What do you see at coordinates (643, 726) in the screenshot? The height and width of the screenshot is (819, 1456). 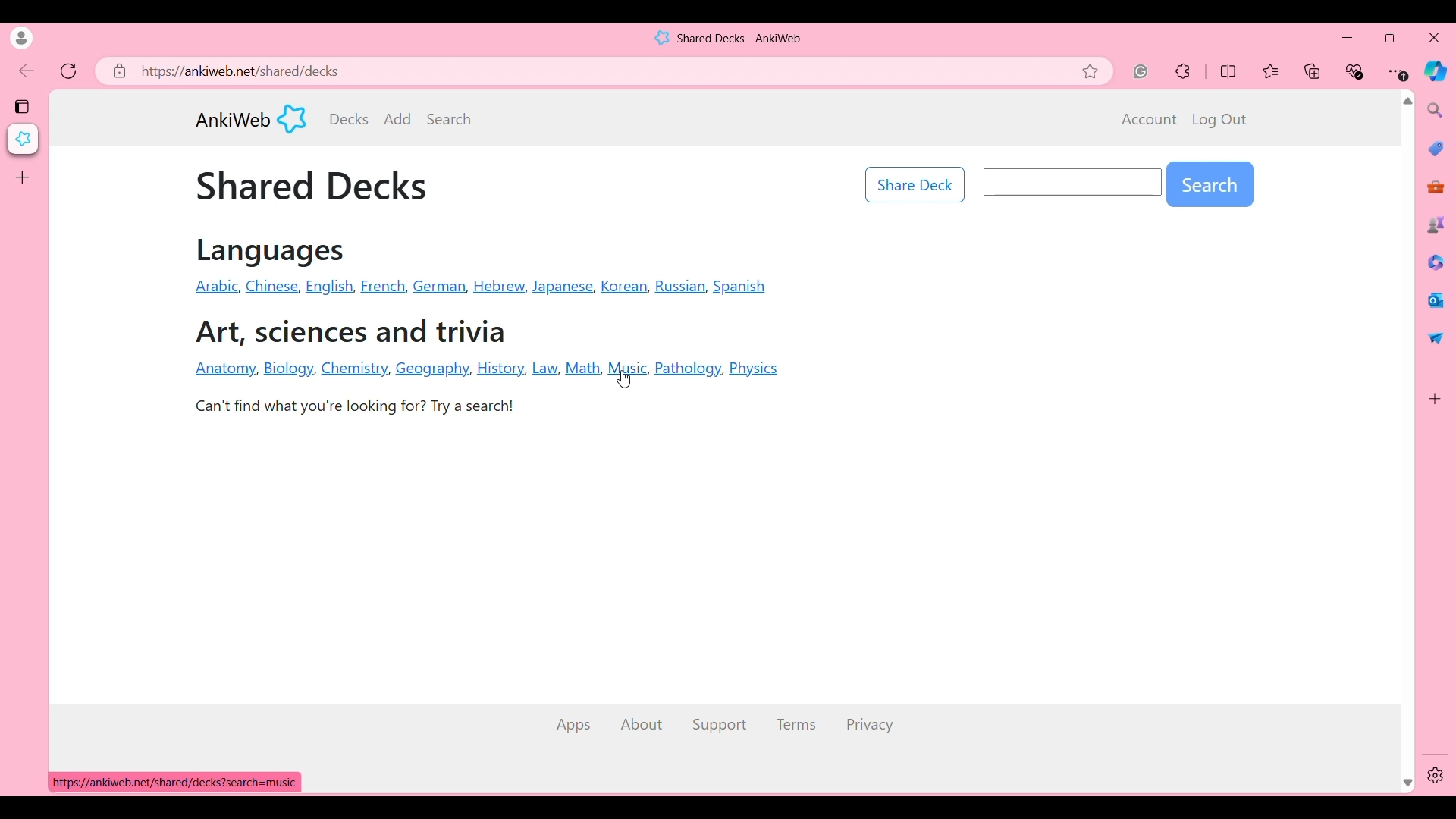 I see `About` at bounding box center [643, 726].